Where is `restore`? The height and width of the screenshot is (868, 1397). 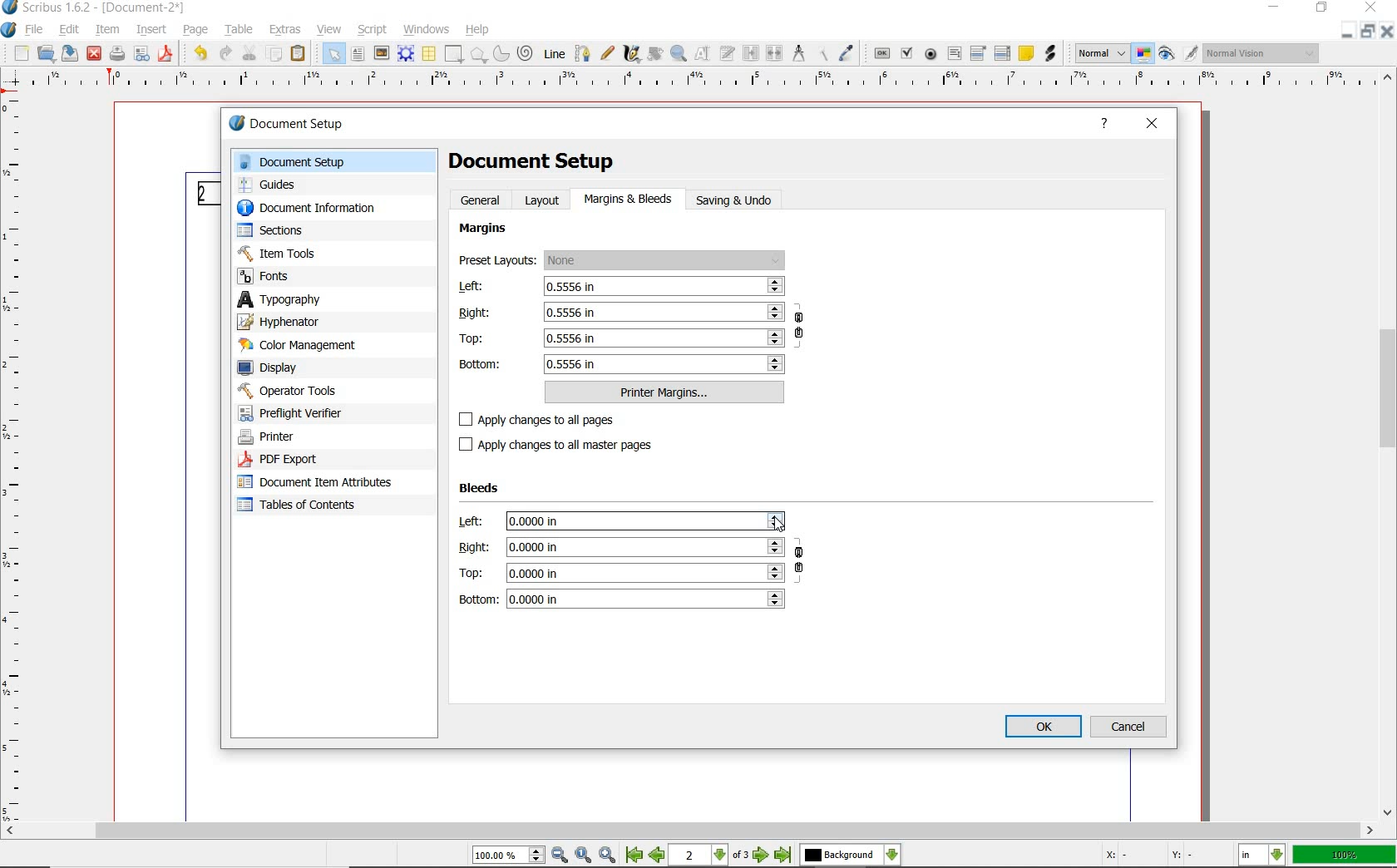 restore is located at coordinates (1321, 9).